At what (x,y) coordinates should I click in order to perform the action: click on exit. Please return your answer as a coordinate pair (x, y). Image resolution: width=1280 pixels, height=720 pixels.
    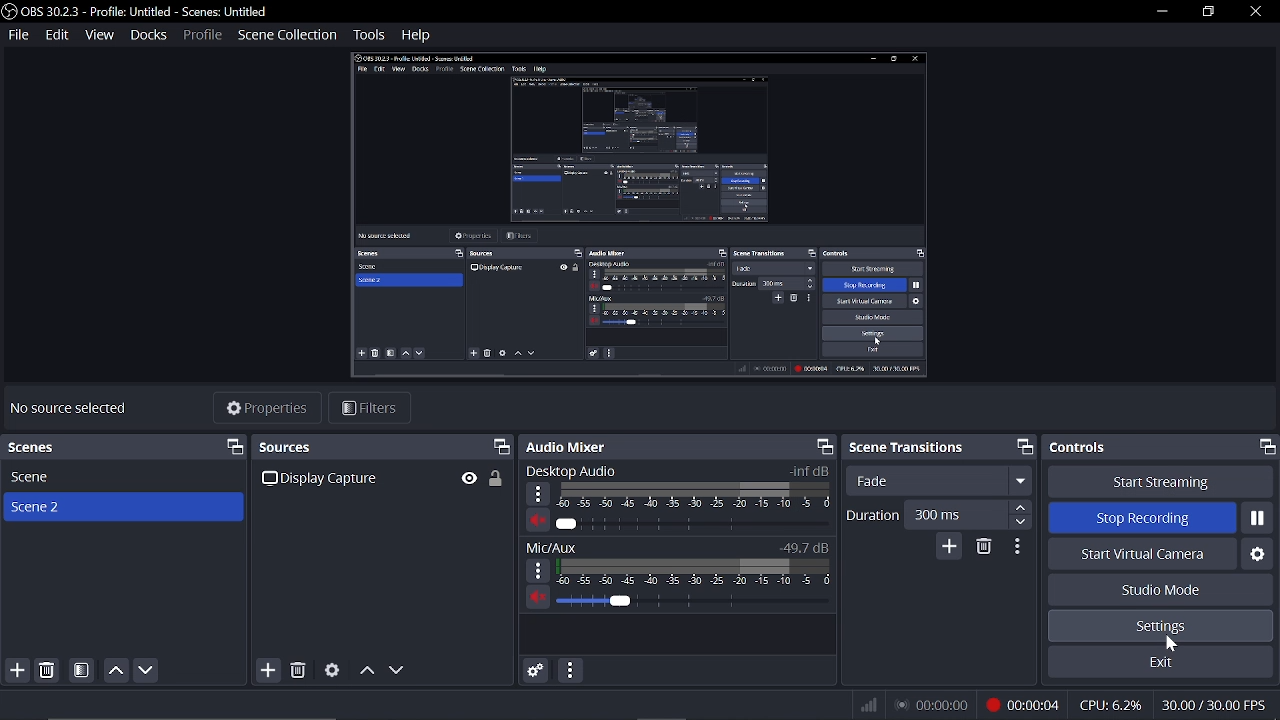
    Looking at the image, I should click on (1160, 662).